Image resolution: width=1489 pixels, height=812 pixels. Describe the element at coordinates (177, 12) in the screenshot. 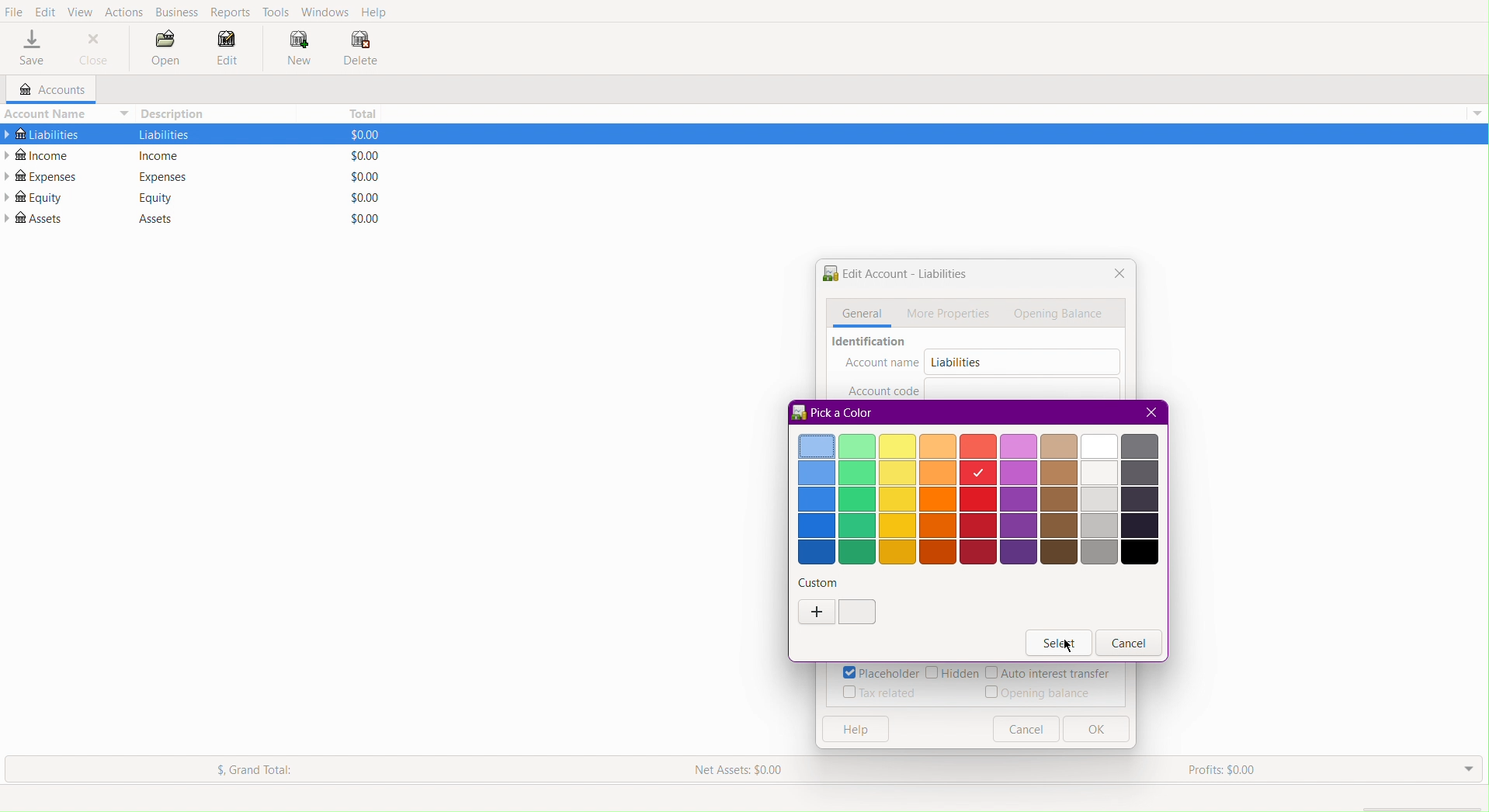

I see `Business` at that location.